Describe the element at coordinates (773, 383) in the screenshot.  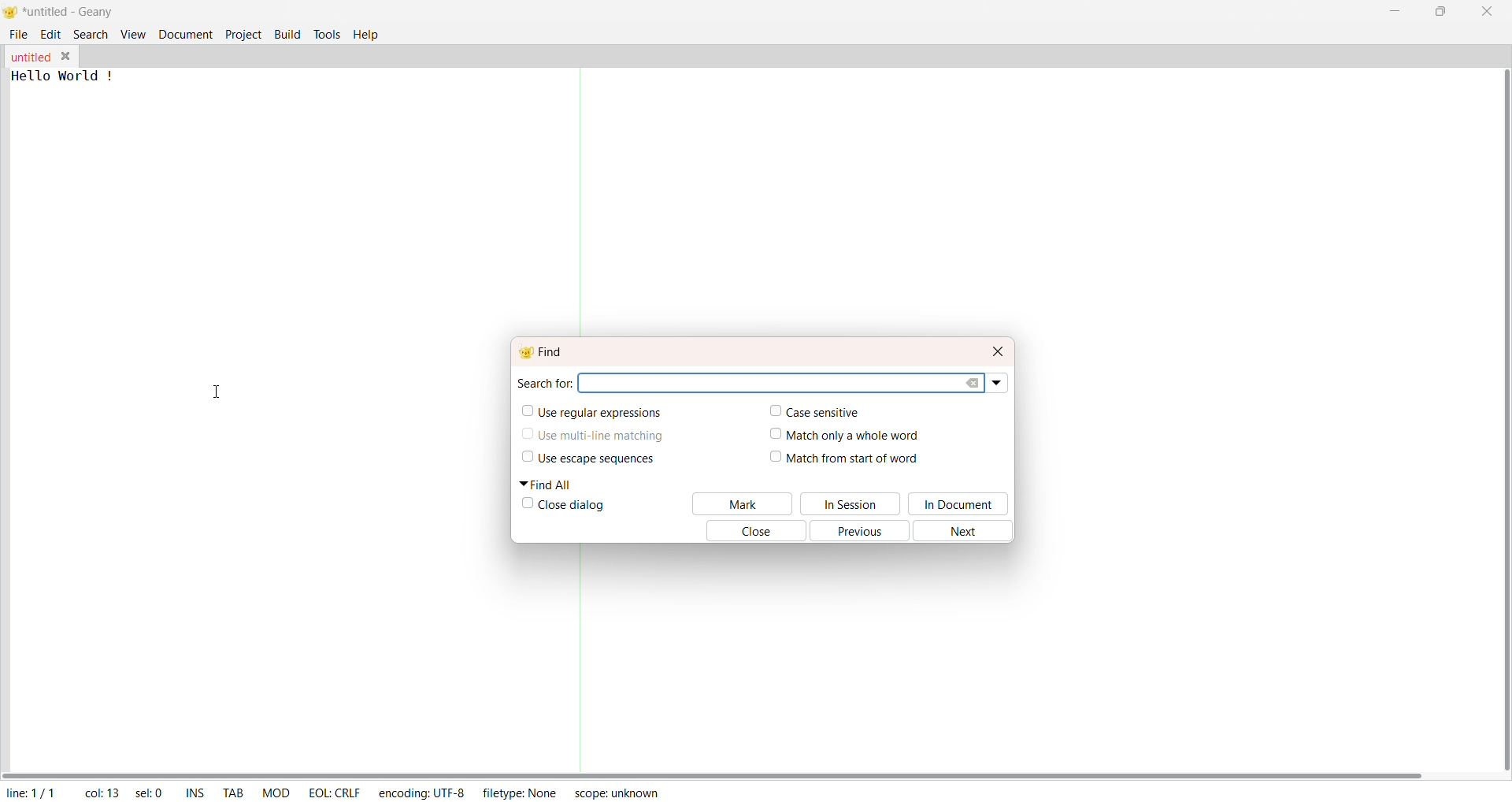
I see `Search bar` at that location.